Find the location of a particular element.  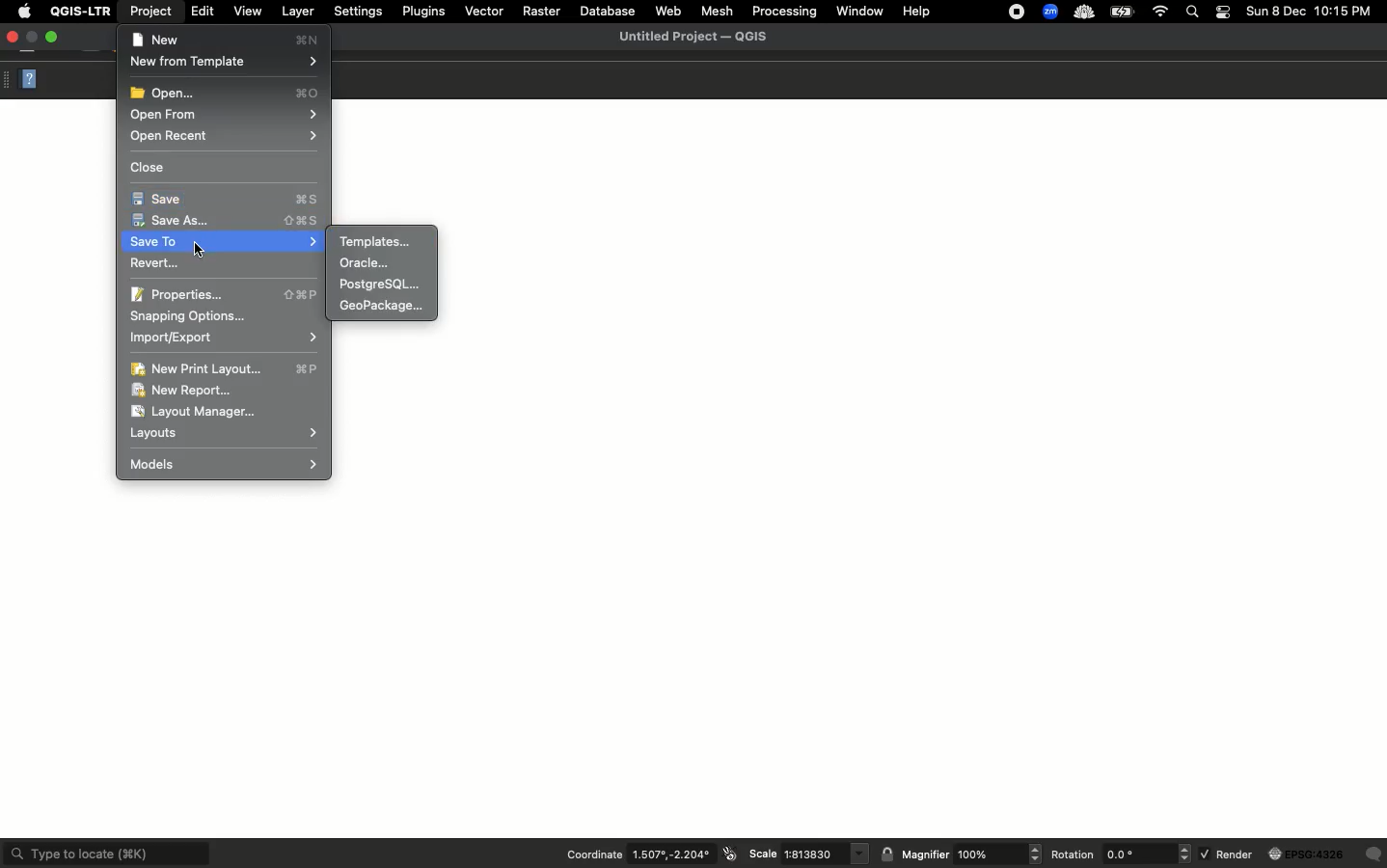

 is located at coordinates (1374, 854).